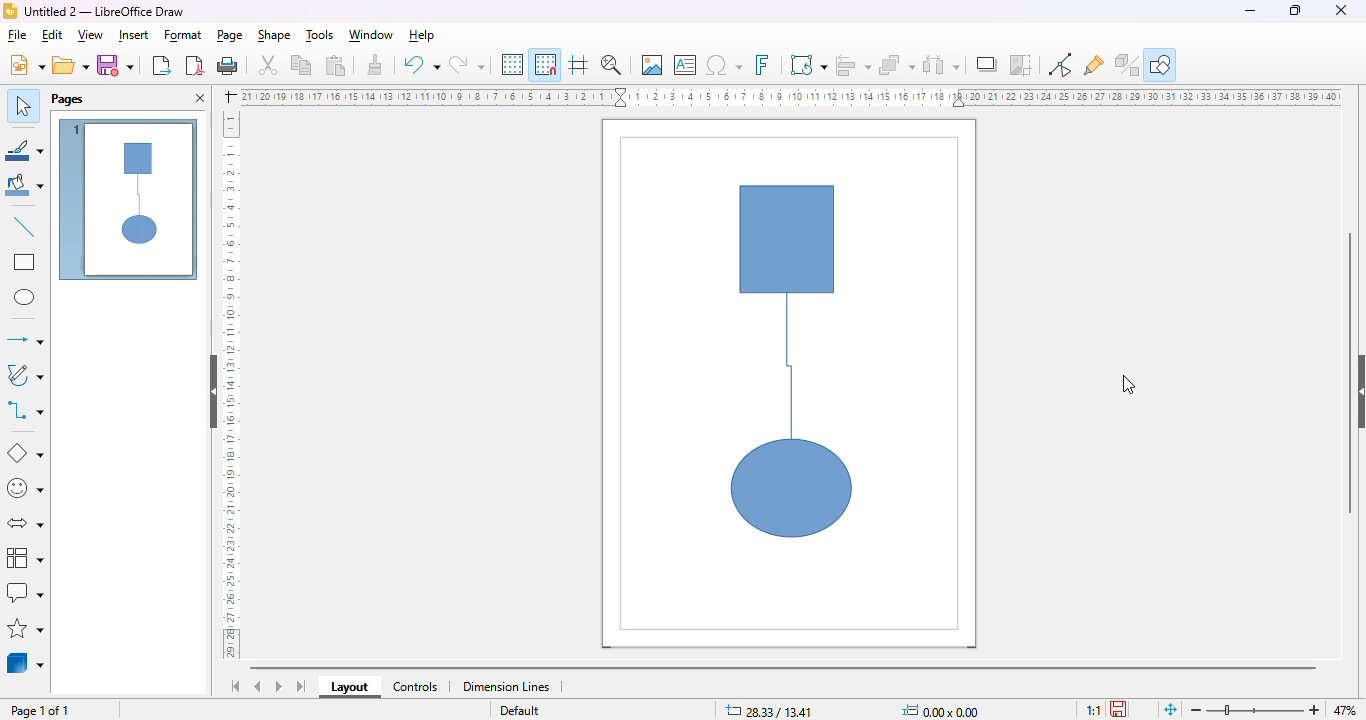 This screenshot has width=1366, height=720. I want to click on symbol shapes, so click(26, 489).